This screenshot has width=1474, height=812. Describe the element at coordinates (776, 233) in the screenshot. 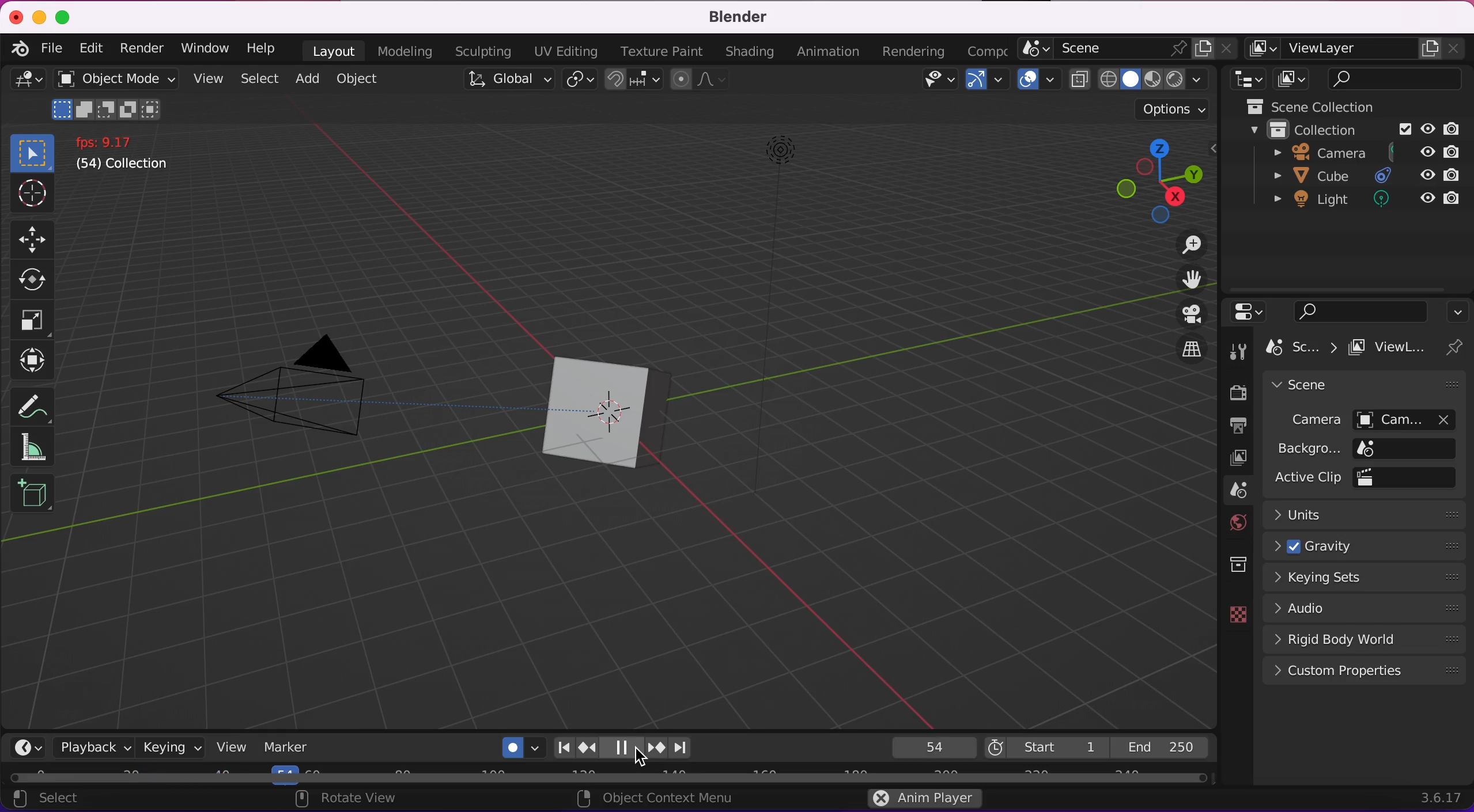

I see `light` at that location.